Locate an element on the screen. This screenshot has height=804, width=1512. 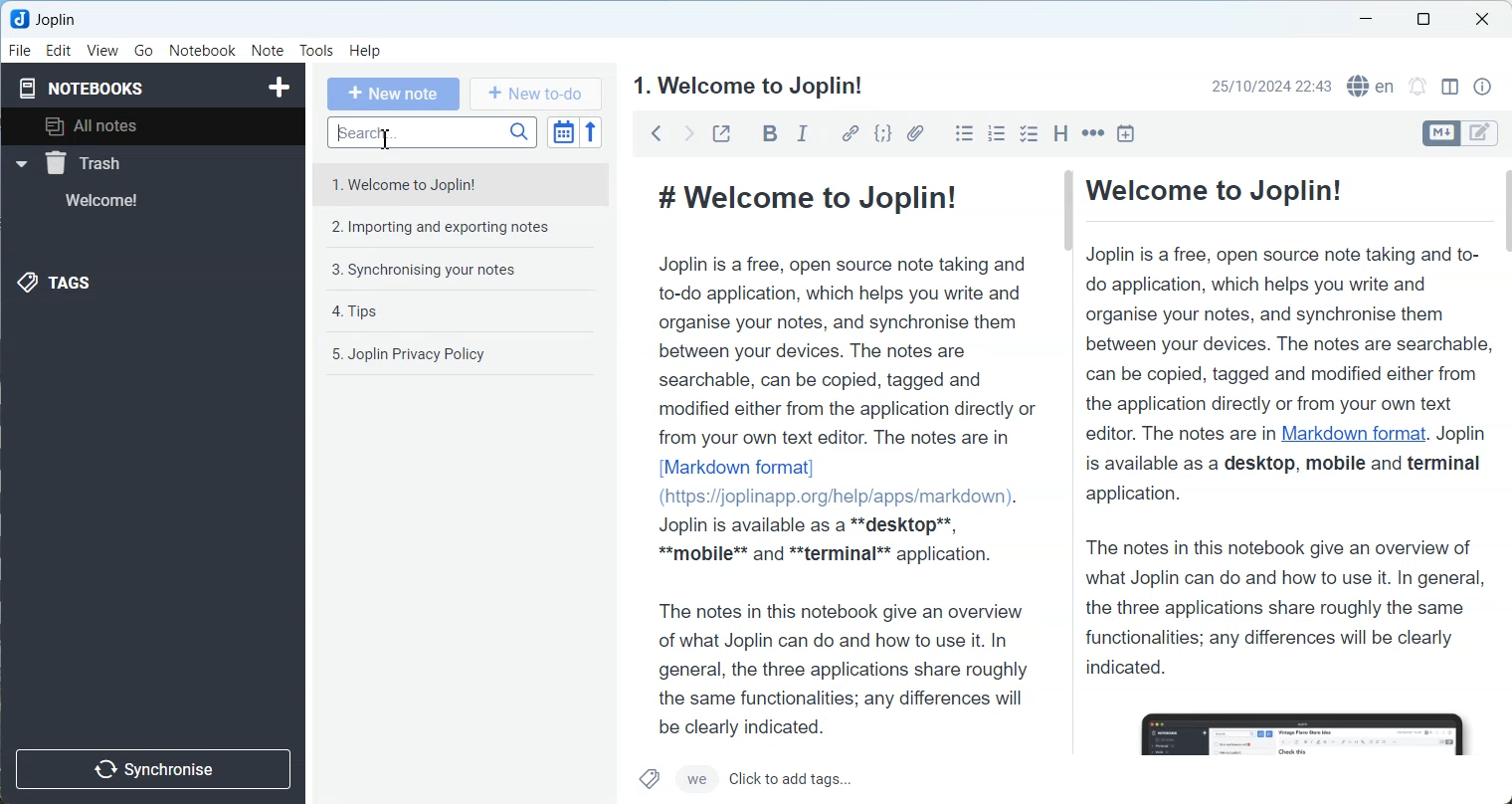
Welcome to Joplin!Joplin is a free, open source note taking and to-do application, which helps you write andorganise your notes, and synchronise thembetween your devices. The notes are searchable,can be copied, tagged and modified either fromthe application directly or from your own texteditor. The notes are in Markdown format. Joplinis available as a desktop, mobile and terminalapplication.The notes in this notebook give an overview ofwhat Joplin can do and how to use it. In general,the three applications share roughly the samefunctionalities; any differences will be clearly indicated. is located at coordinates (1286, 462).